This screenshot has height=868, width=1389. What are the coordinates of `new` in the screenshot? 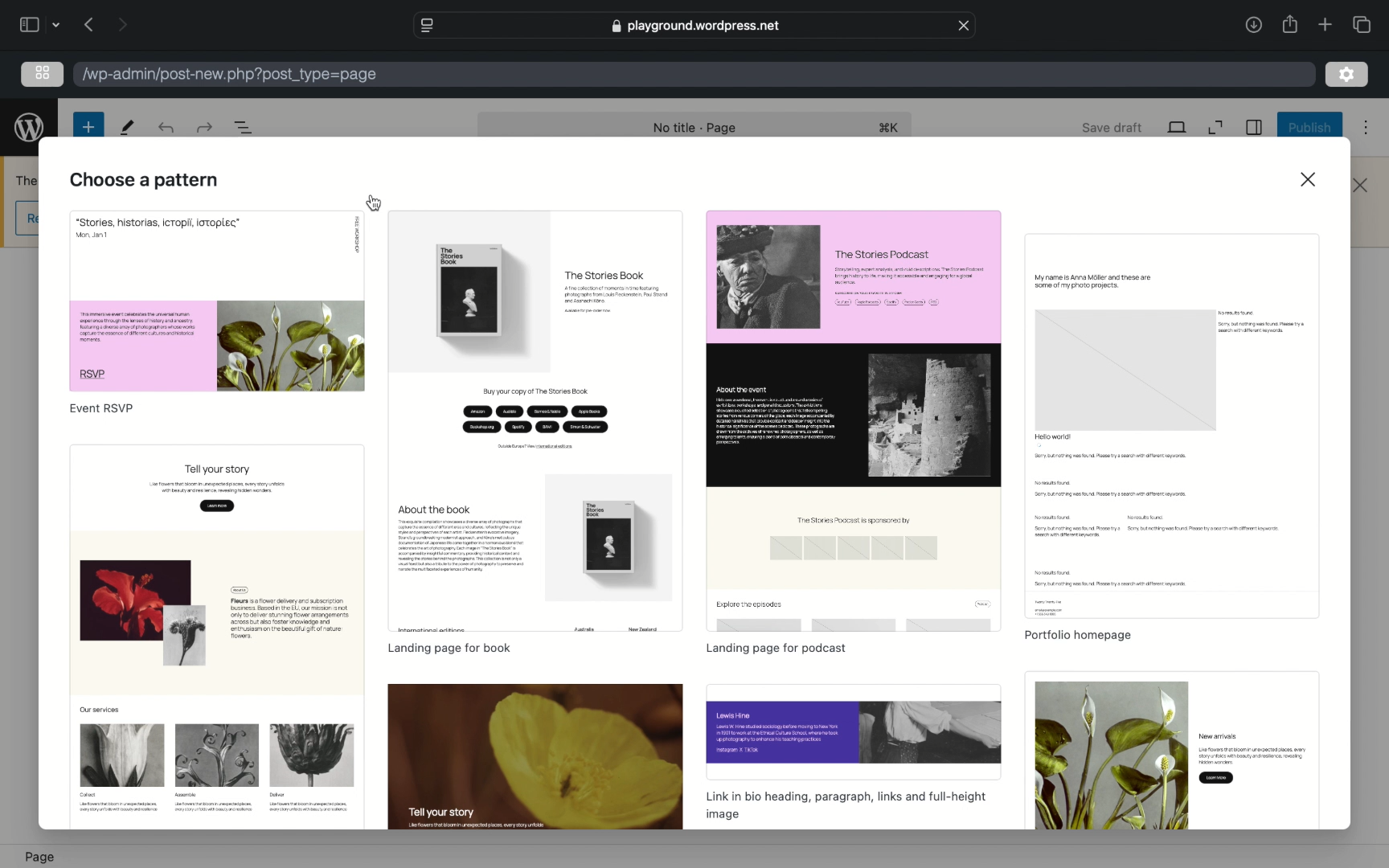 It's located at (88, 127).